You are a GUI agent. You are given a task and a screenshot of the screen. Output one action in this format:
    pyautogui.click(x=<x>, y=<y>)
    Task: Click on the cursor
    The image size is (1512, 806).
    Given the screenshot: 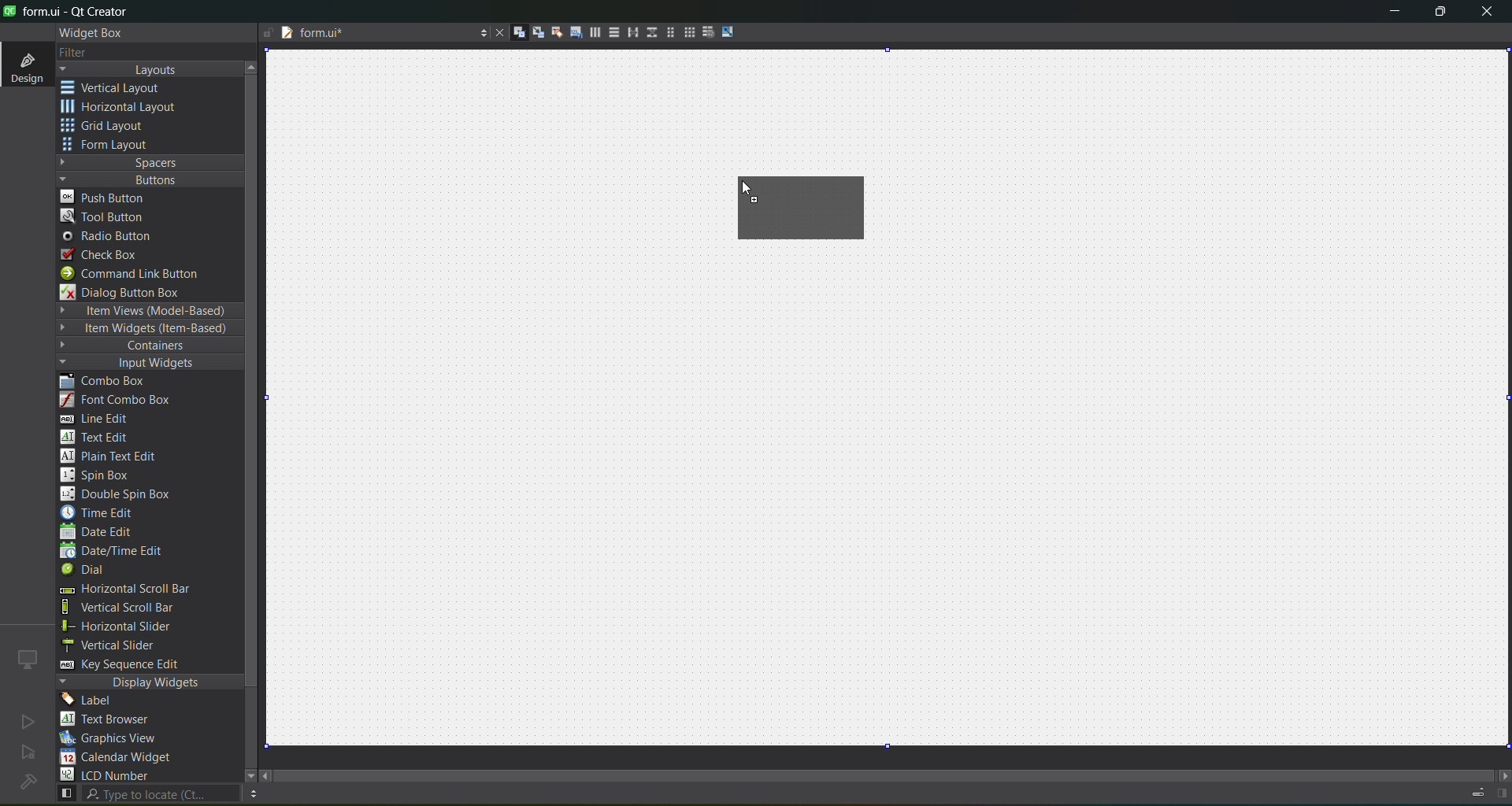 What is the action you would take?
    pyautogui.click(x=743, y=177)
    